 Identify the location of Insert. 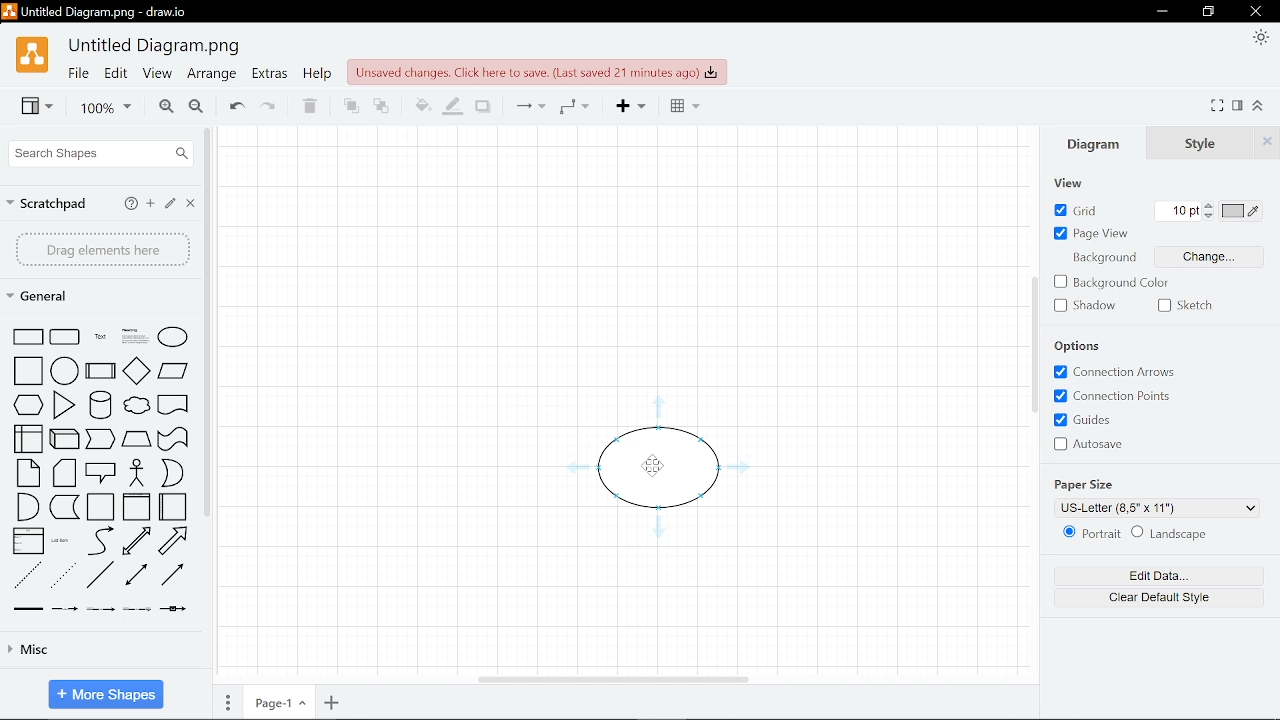
(628, 106).